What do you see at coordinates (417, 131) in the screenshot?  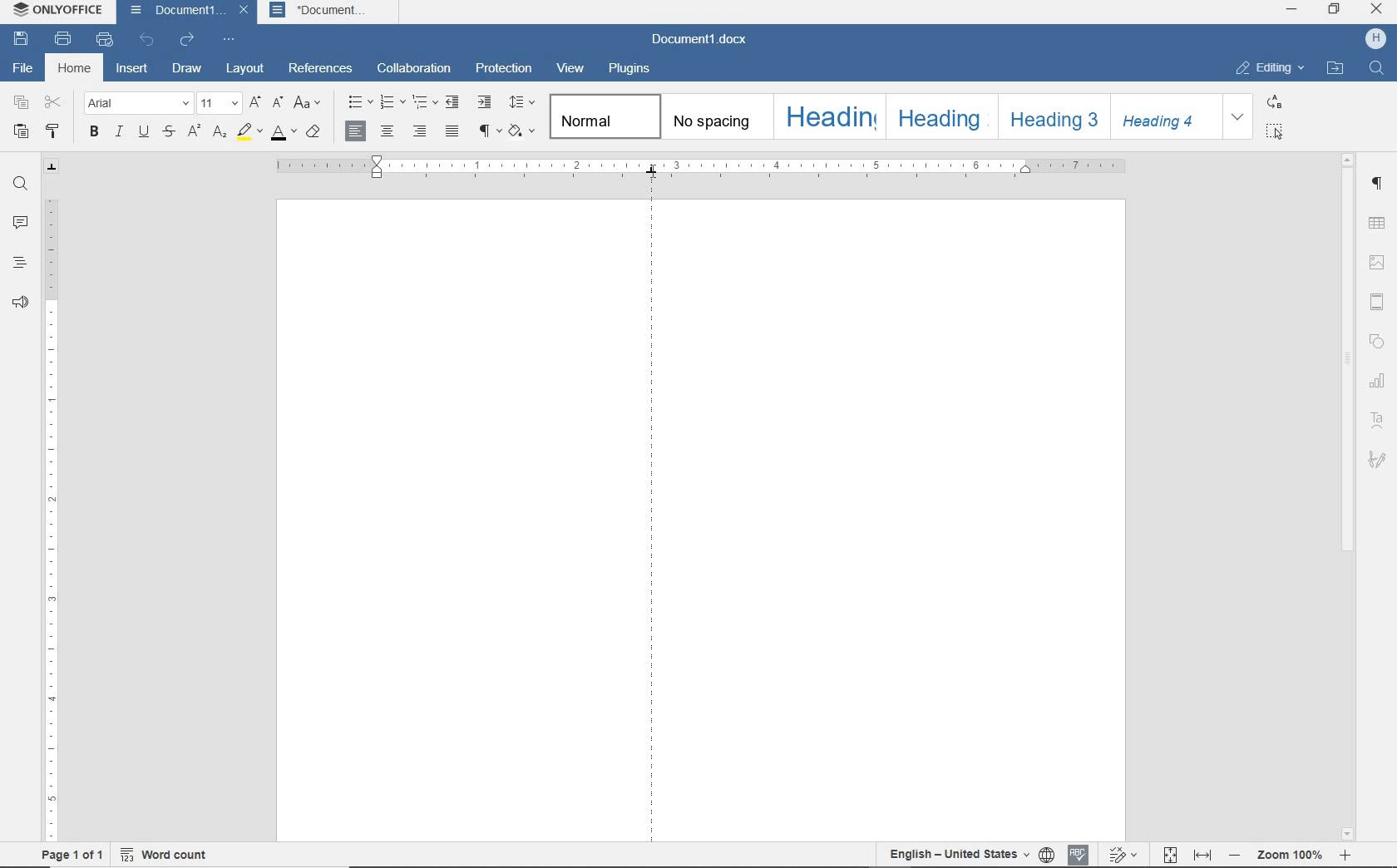 I see `ALIGN RIGHT` at bounding box center [417, 131].